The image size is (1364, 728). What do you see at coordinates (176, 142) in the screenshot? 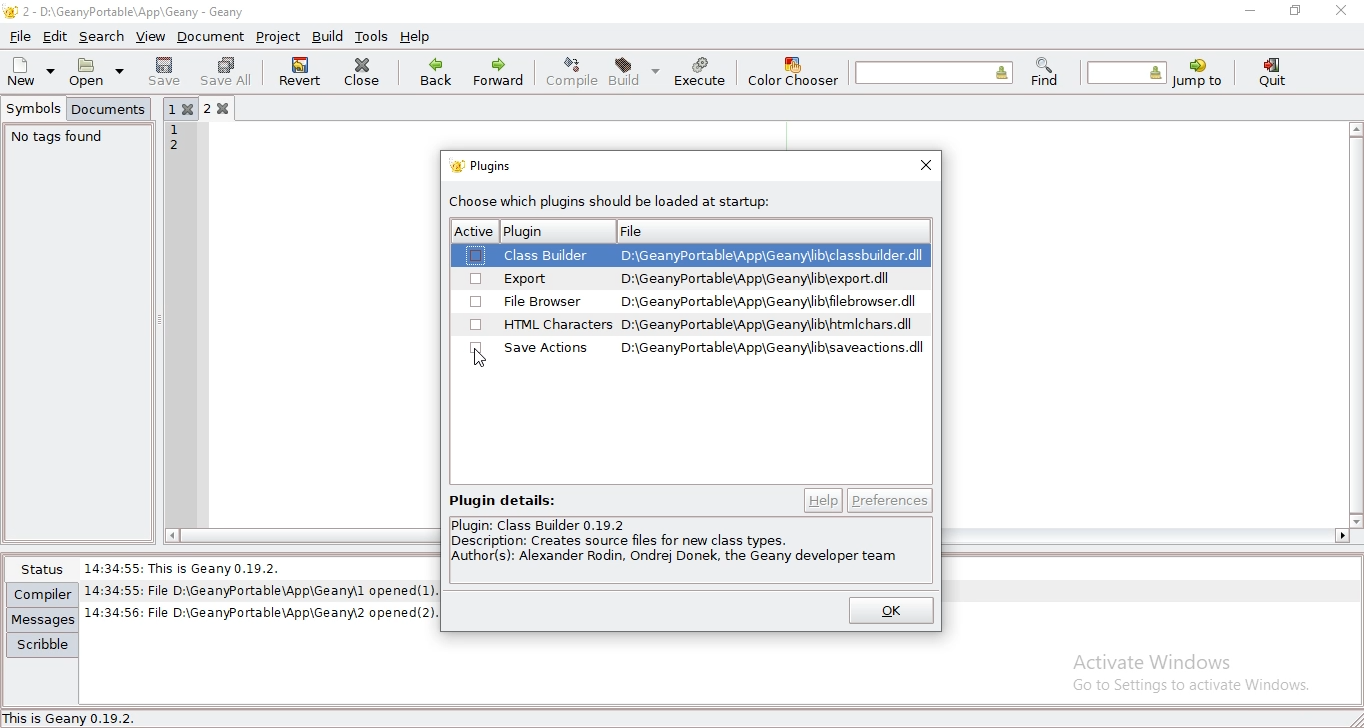
I see `12` at bounding box center [176, 142].